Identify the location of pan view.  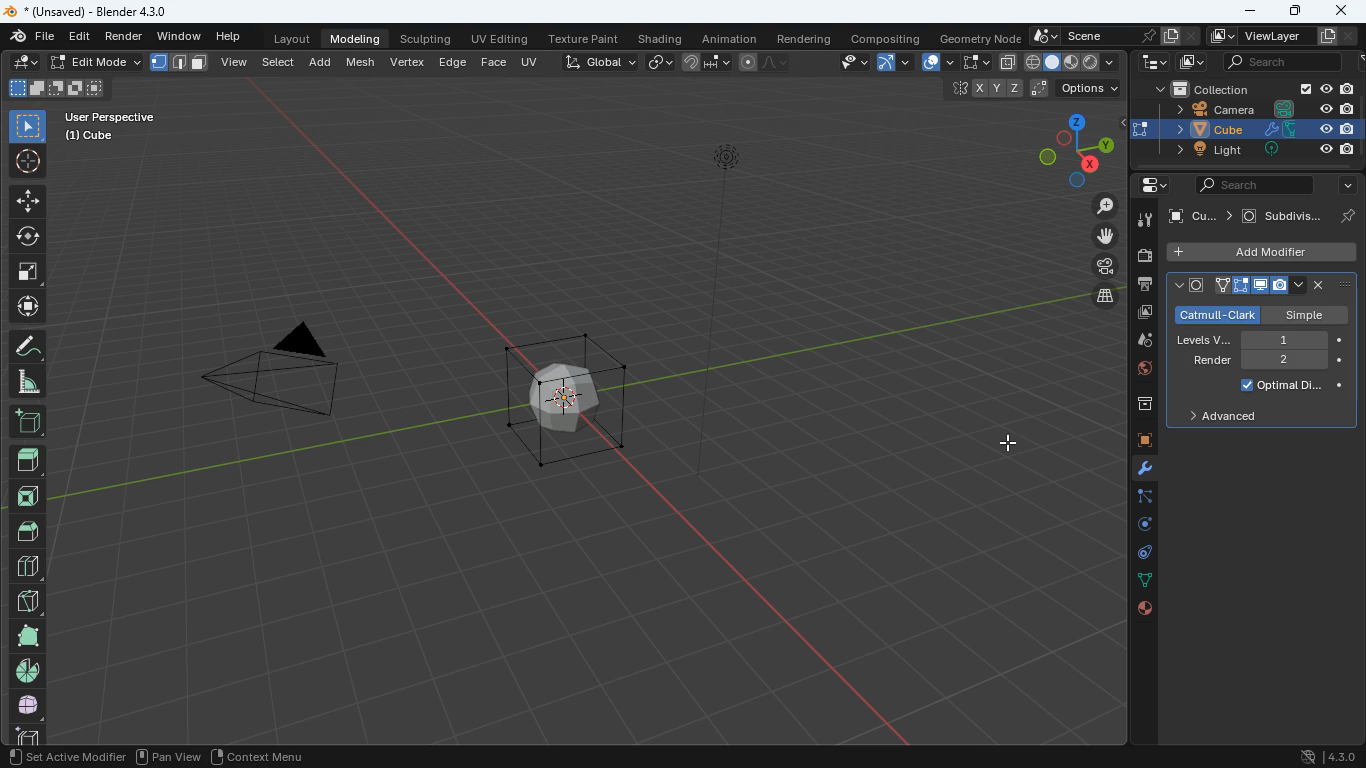
(170, 758).